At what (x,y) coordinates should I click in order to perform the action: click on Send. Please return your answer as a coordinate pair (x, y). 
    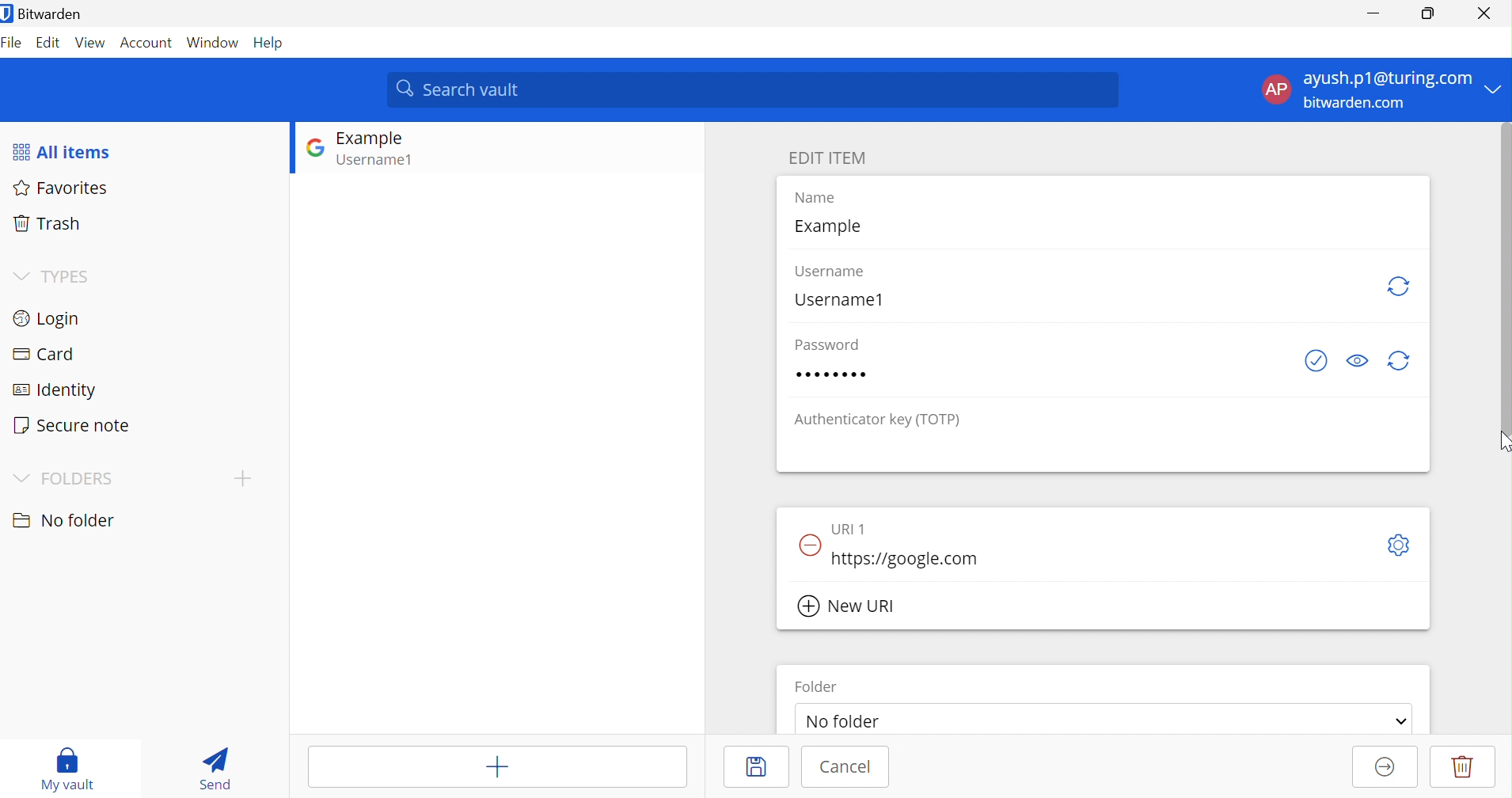
    Looking at the image, I should click on (211, 766).